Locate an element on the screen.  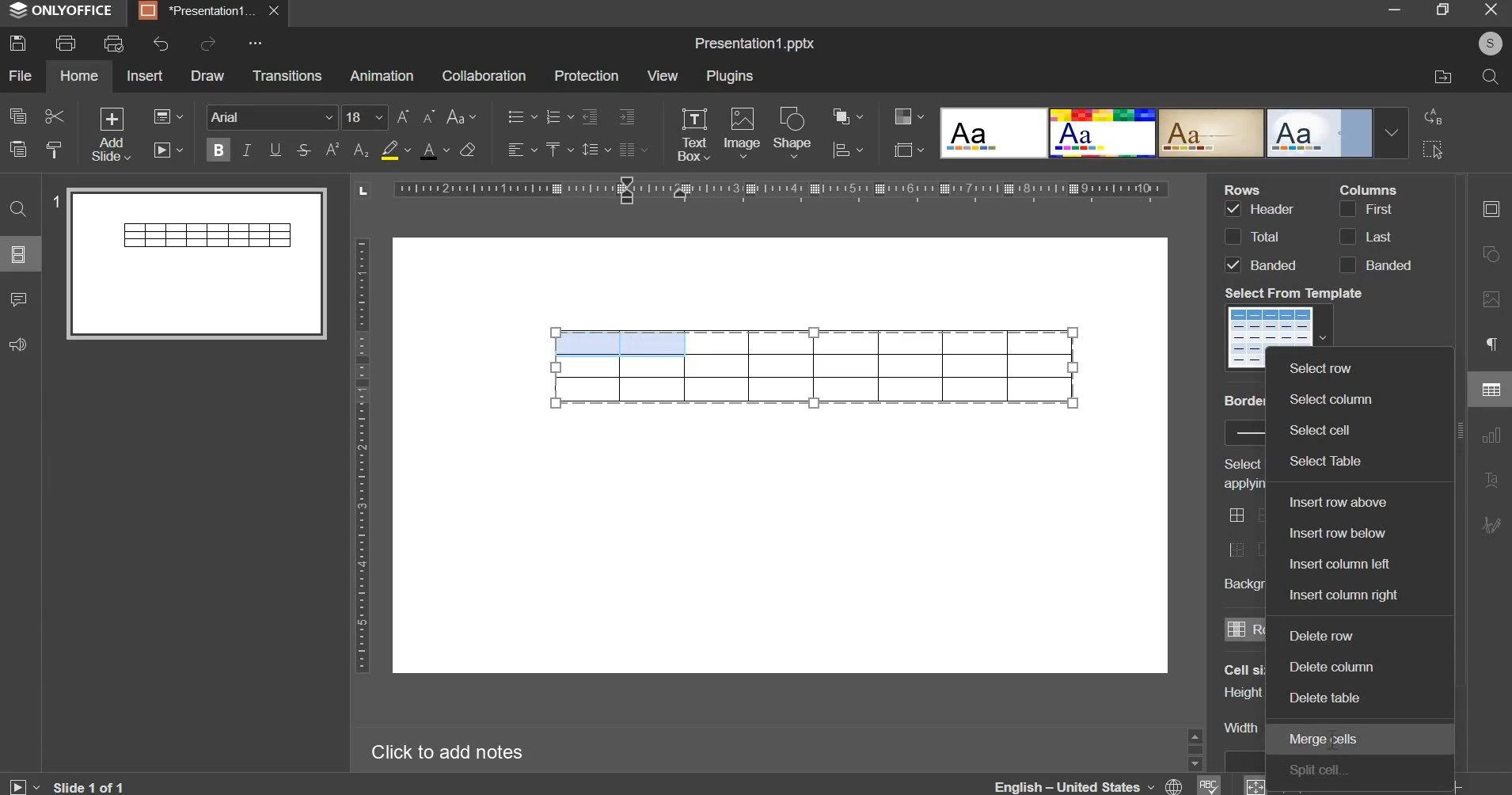
animation is located at coordinates (381, 75).